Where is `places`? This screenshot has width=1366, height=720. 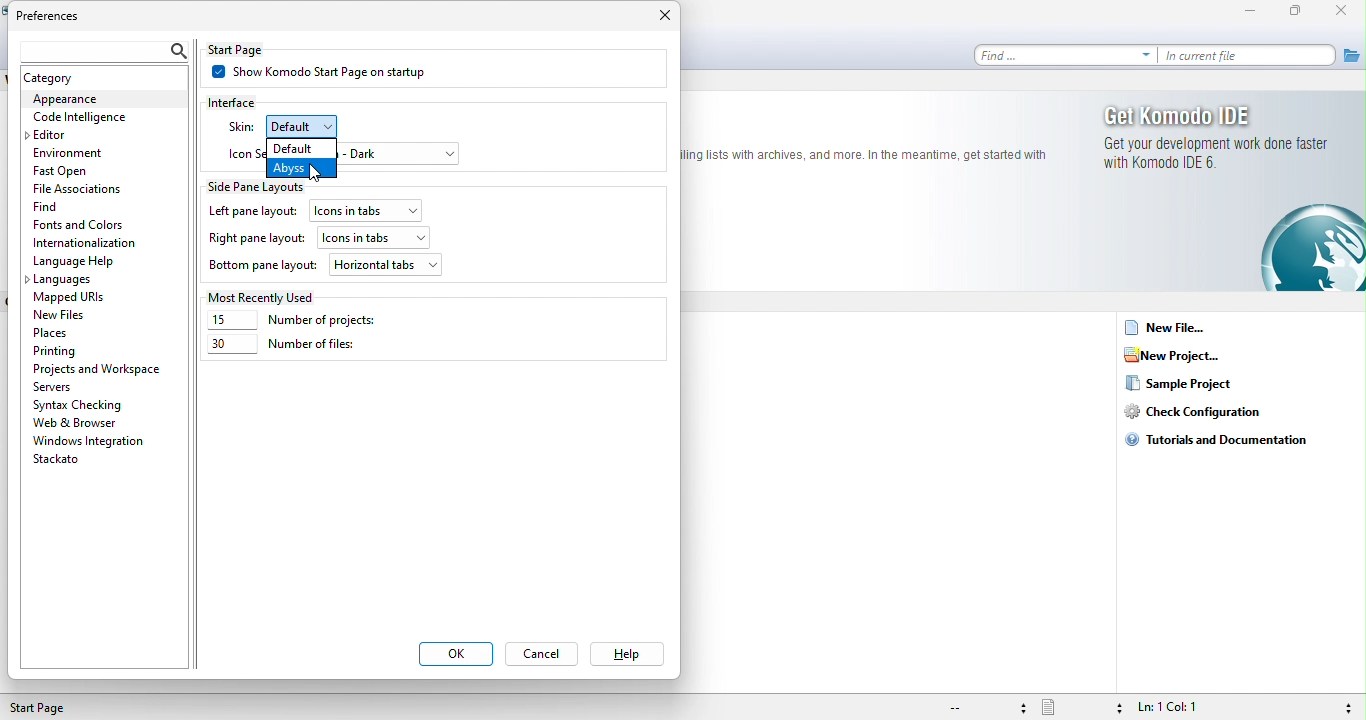
places is located at coordinates (58, 332).